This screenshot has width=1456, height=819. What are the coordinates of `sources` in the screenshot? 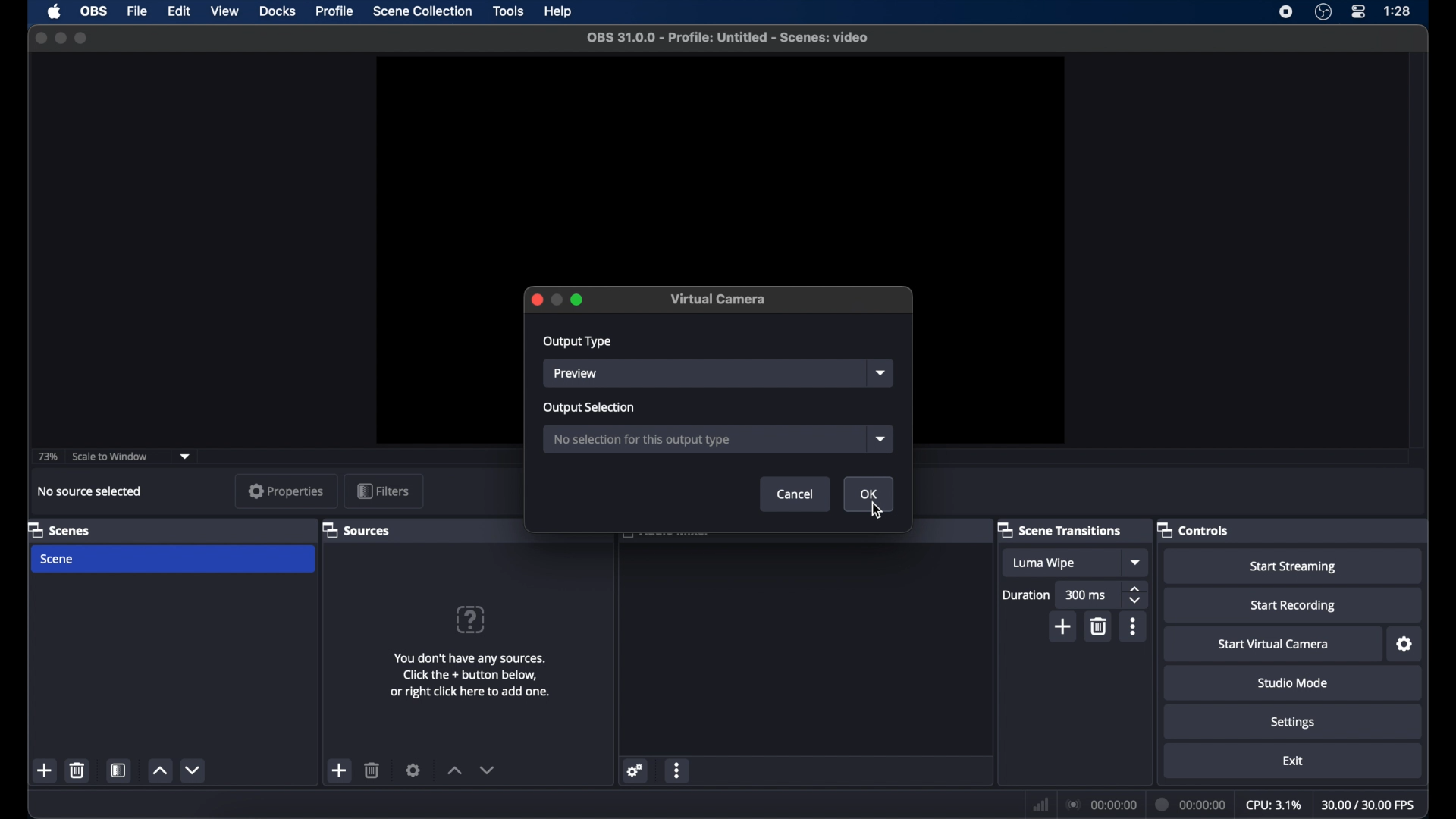 It's located at (359, 531).